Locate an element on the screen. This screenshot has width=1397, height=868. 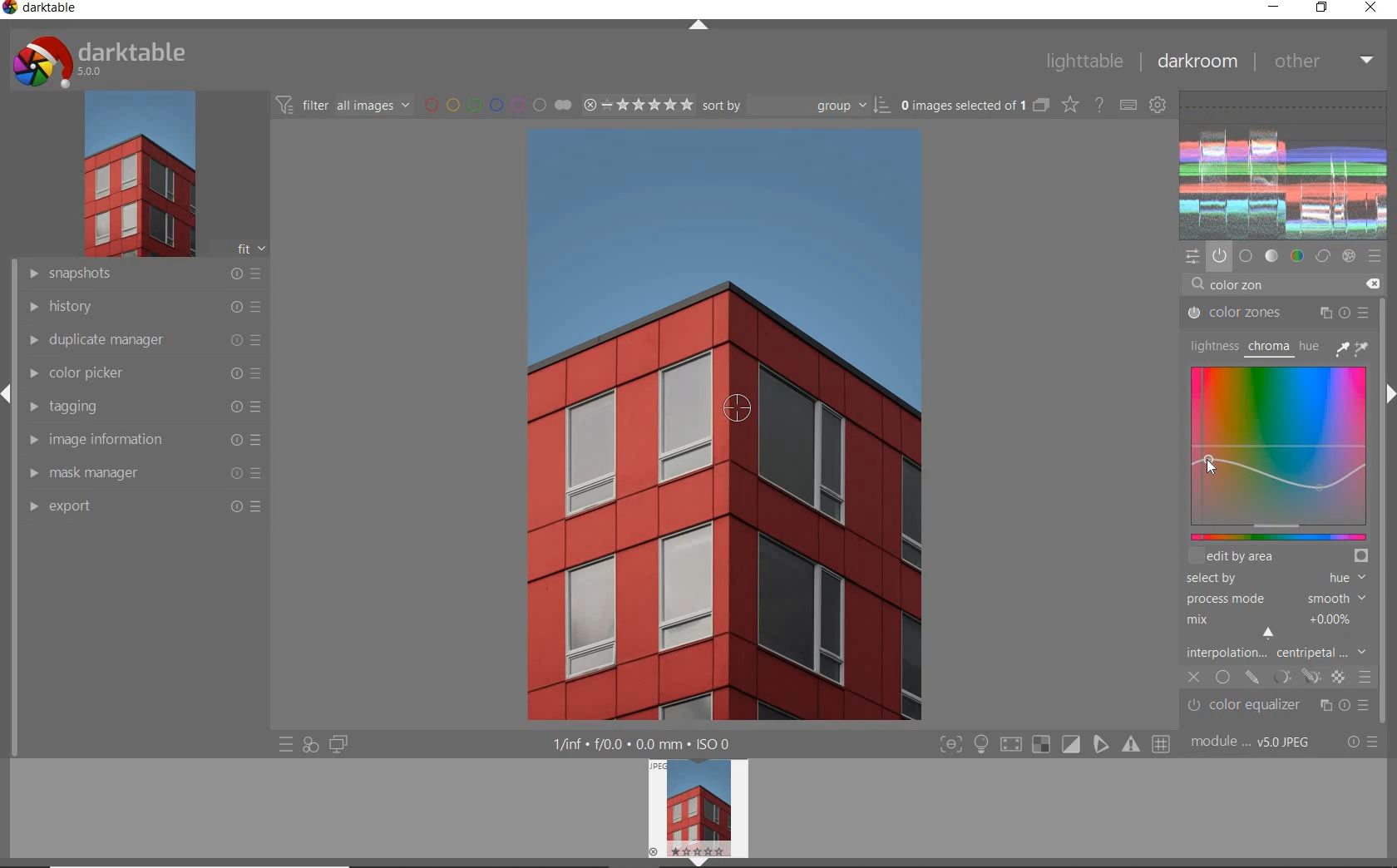
selected image is located at coordinates (710, 248).